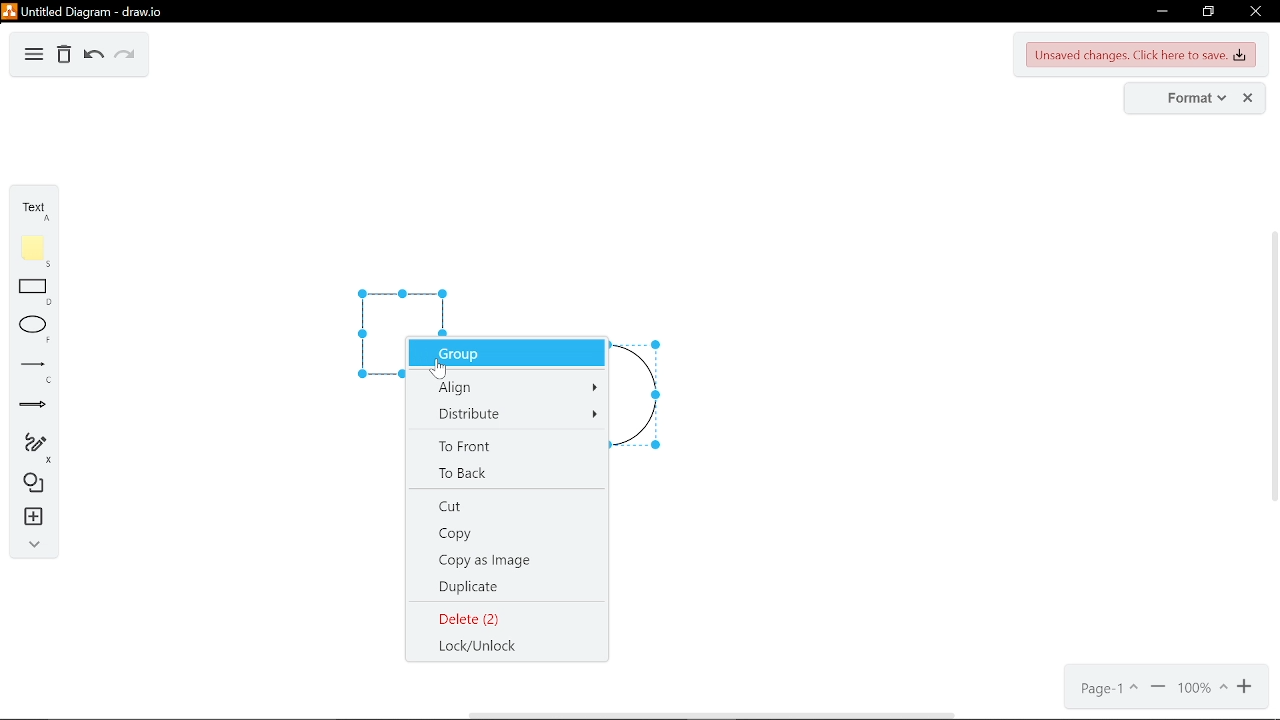  I want to click on to back, so click(507, 475).